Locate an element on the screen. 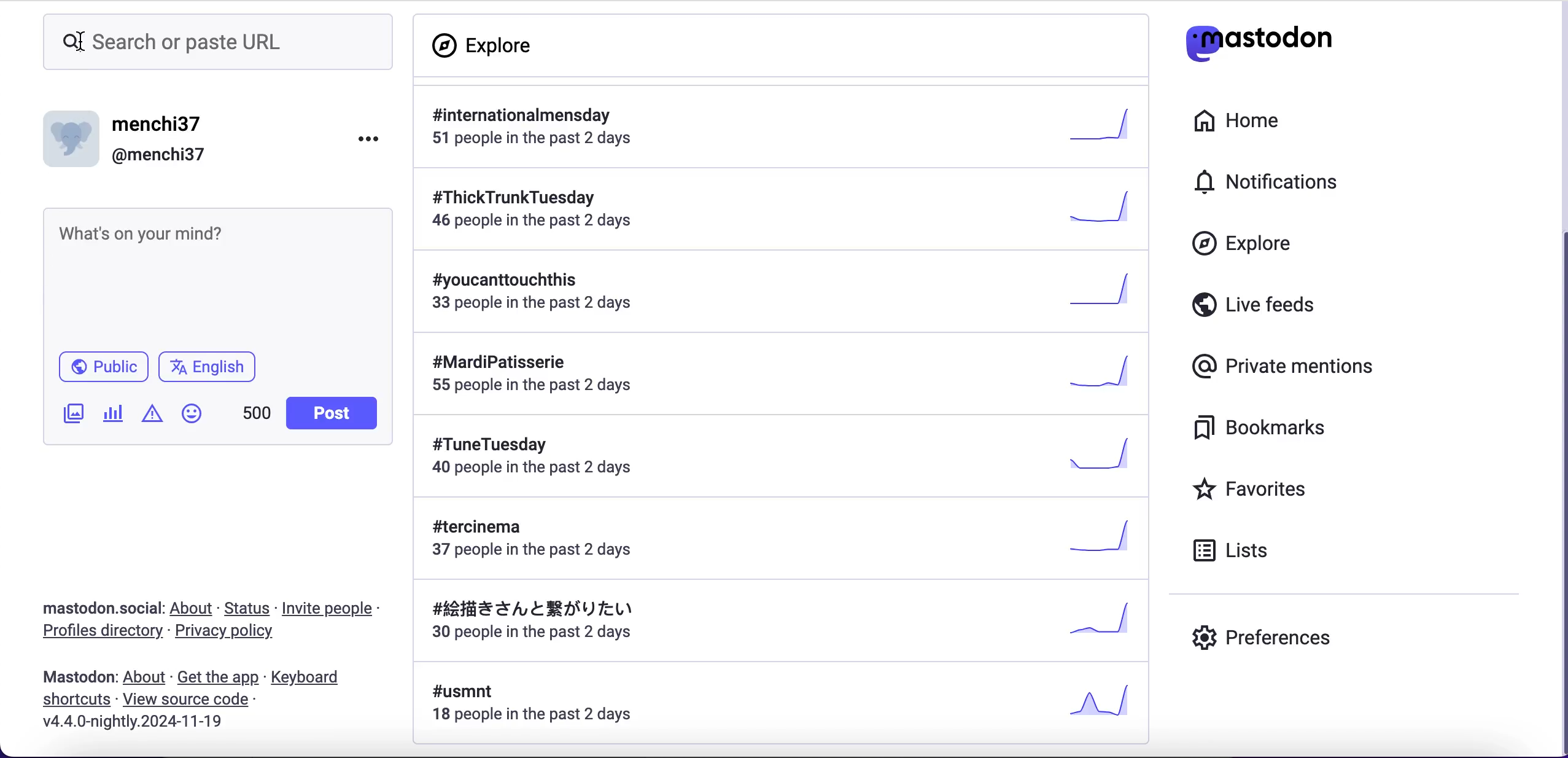 Image resolution: width=1568 pixels, height=758 pixels. add image is located at coordinates (72, 416).